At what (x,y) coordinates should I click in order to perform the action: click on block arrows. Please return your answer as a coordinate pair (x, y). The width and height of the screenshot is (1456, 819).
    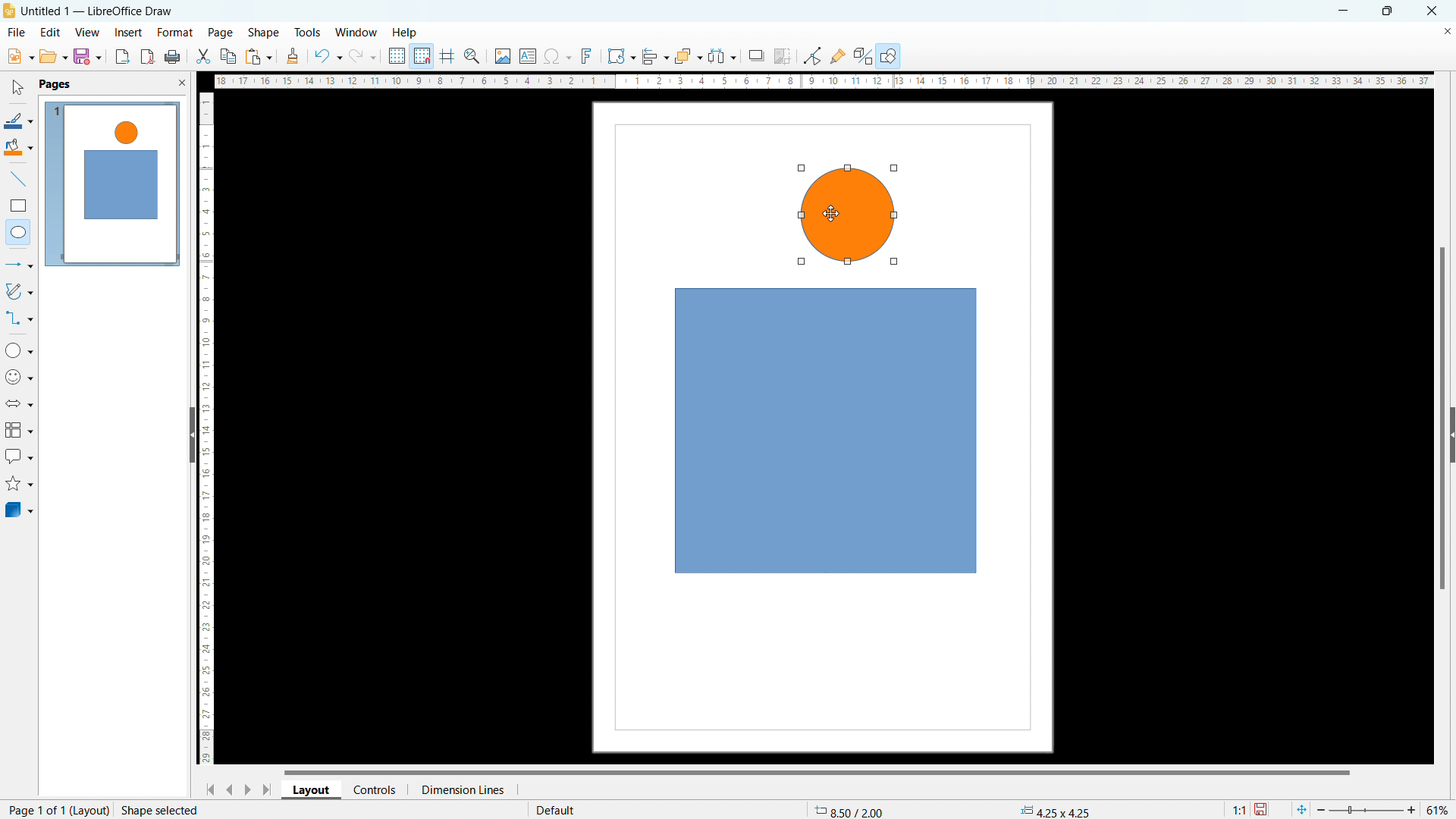
    Looking at the image, I should click on (20, 403).